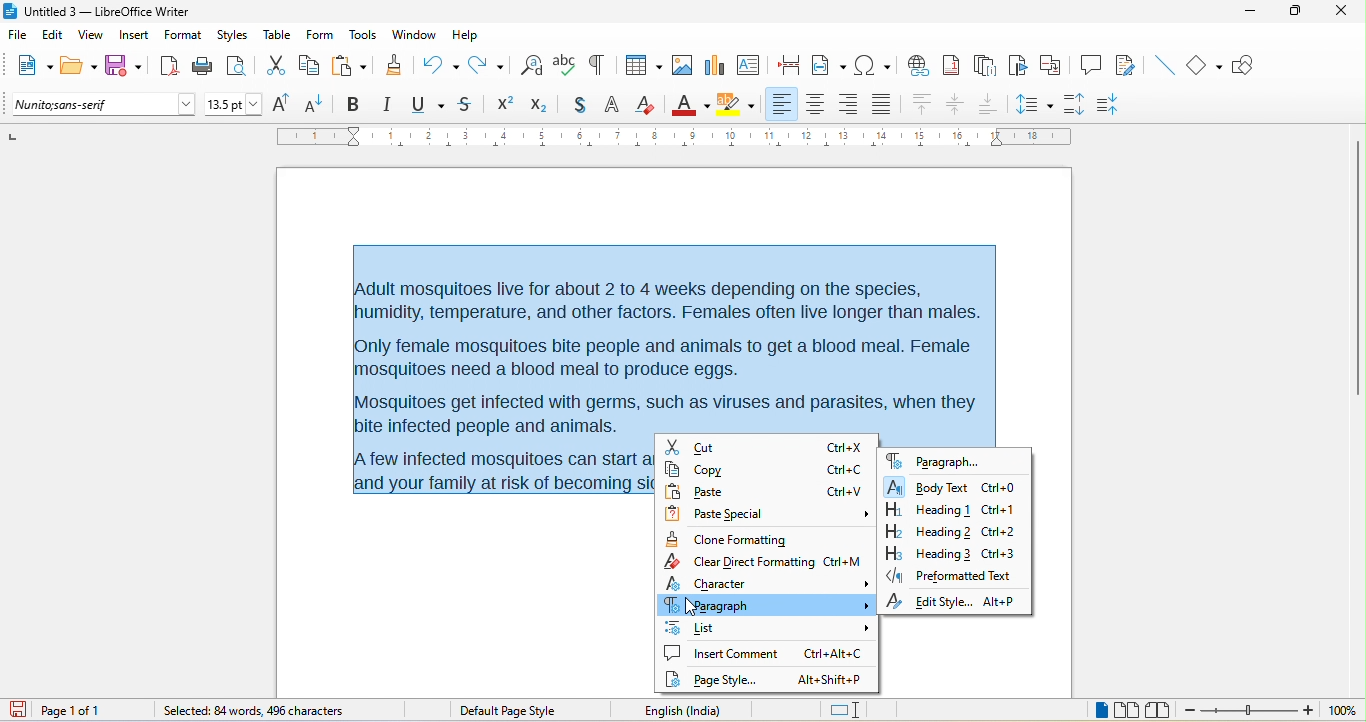  What do you see at coordinates (386, 105) in the screenshot?
I see `italic` at bounding box center [386, 105].